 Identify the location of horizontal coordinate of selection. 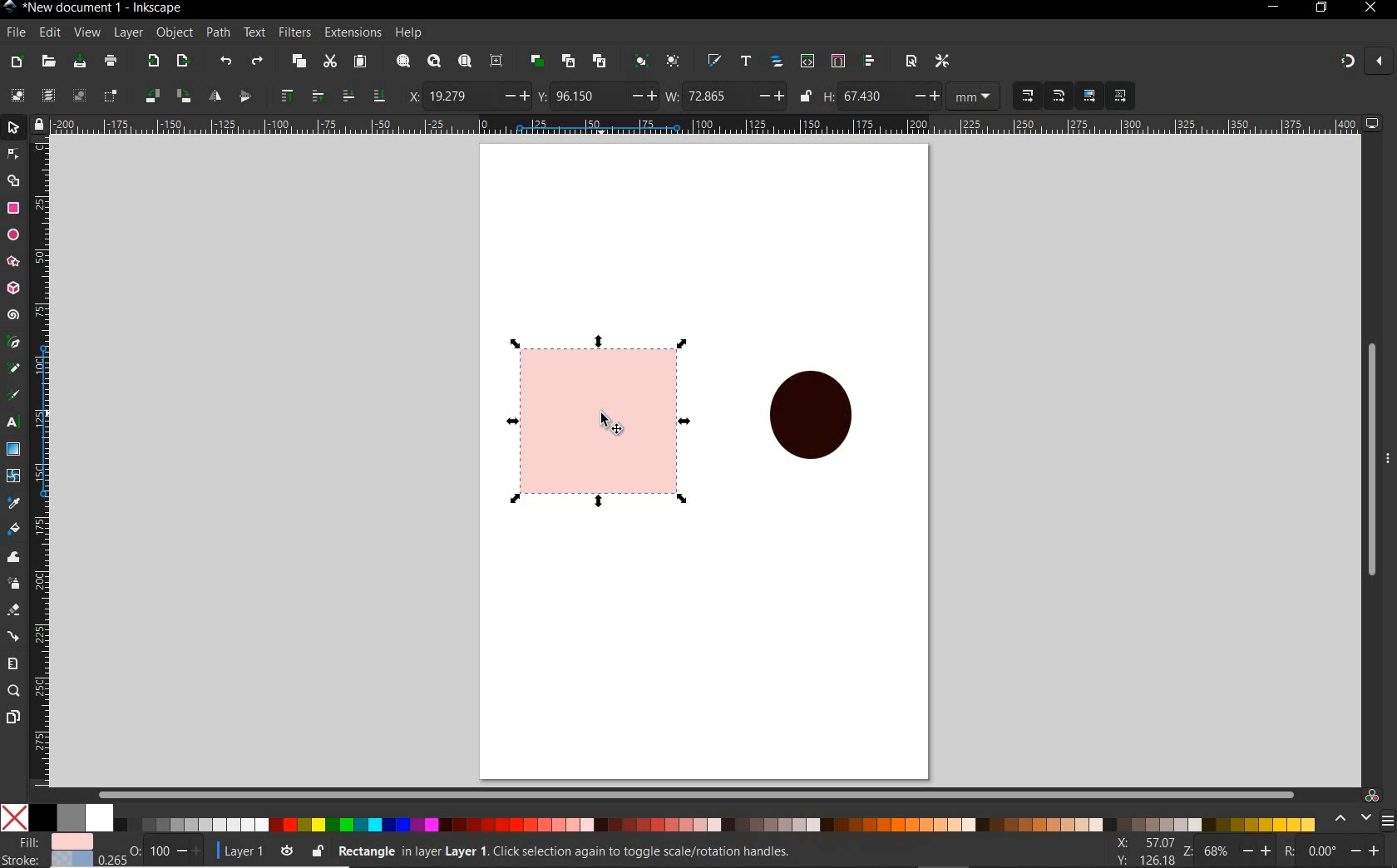
(468, 96).